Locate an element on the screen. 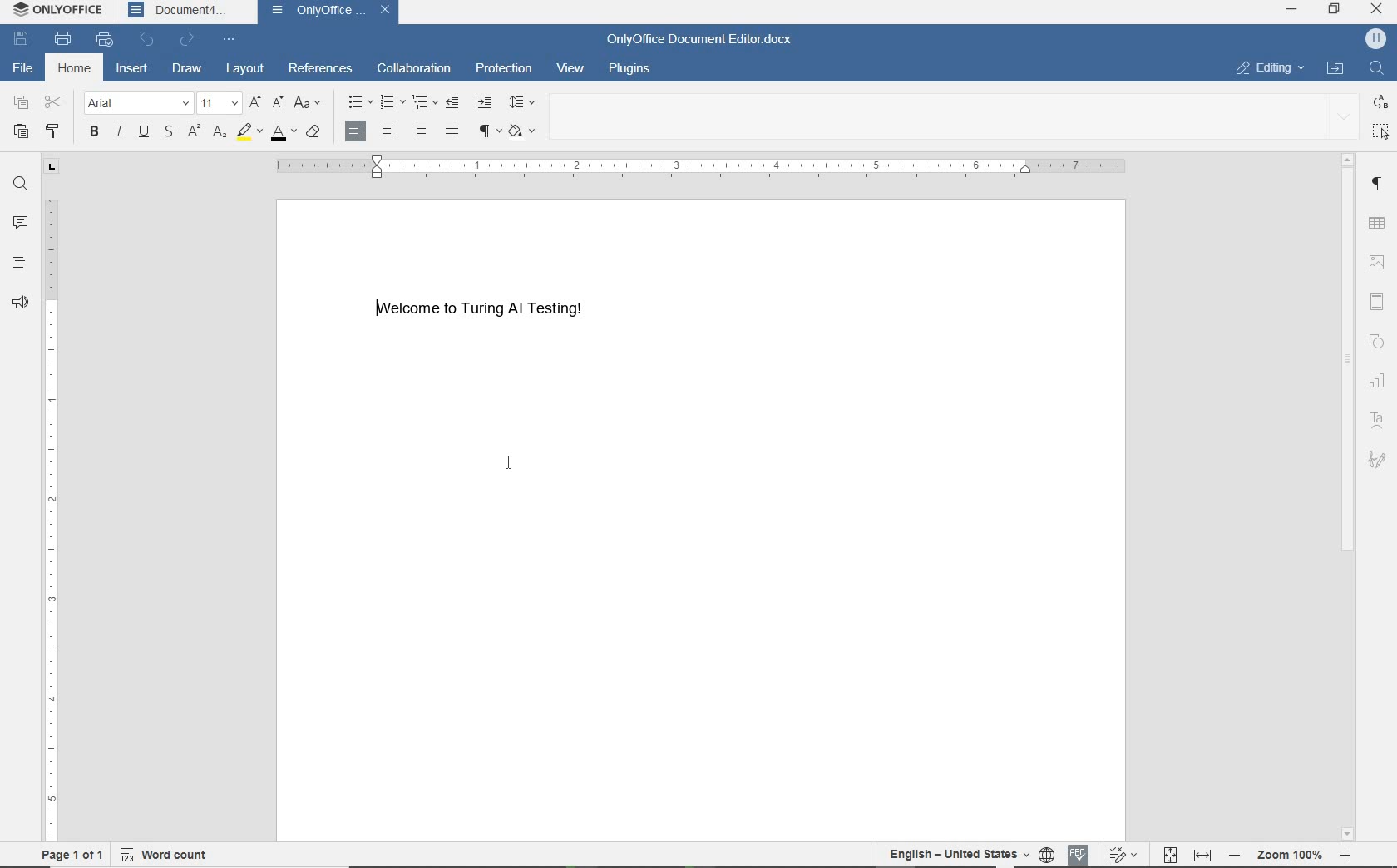 The height and width of the screenshot is (868, 1397). font size is located at coordinates (221, 103).